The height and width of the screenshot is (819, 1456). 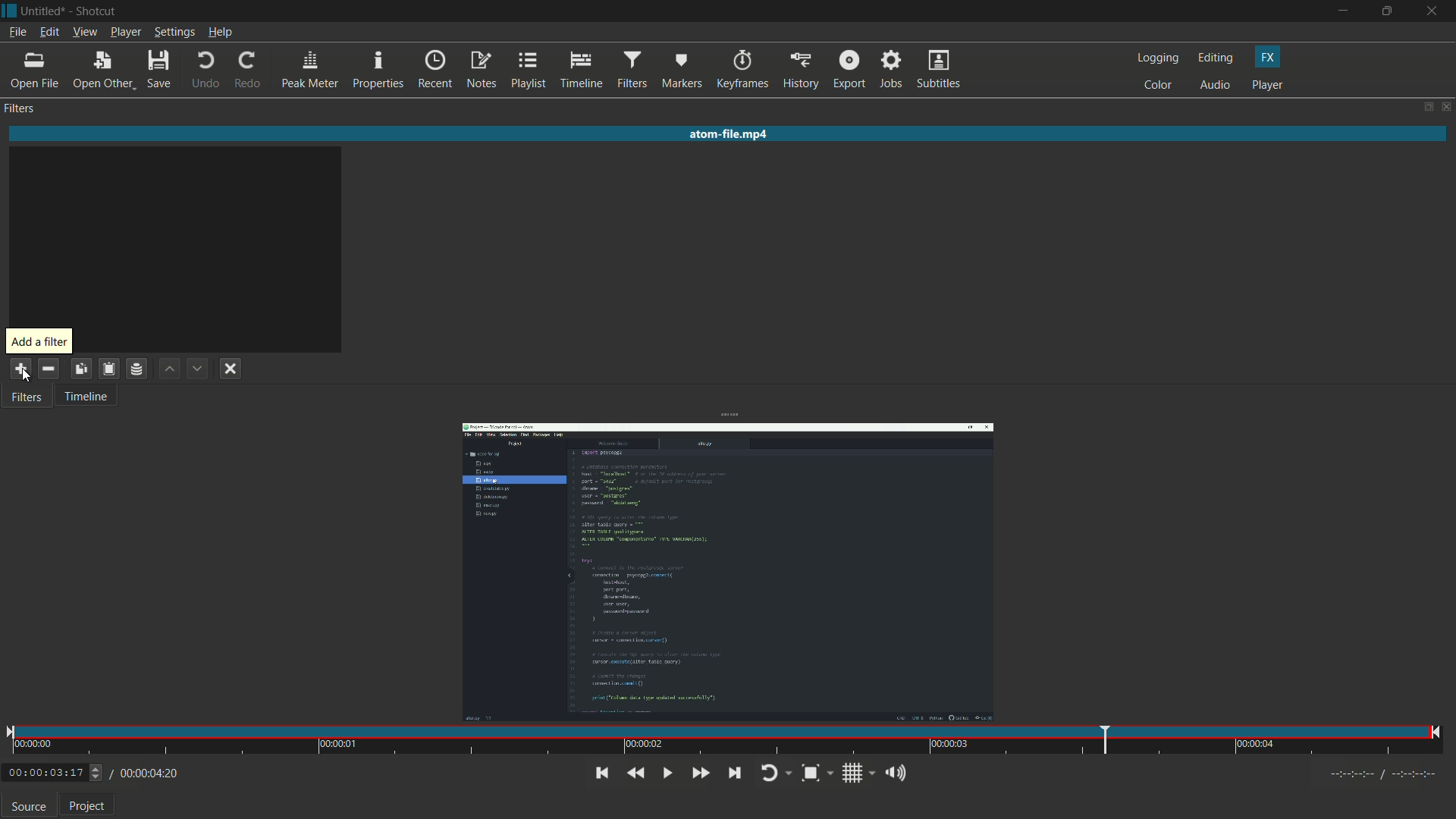 What do you see at coordinates (1159, 58) in the screenshot?
I see `logging` at bounding box center [1159, 58].